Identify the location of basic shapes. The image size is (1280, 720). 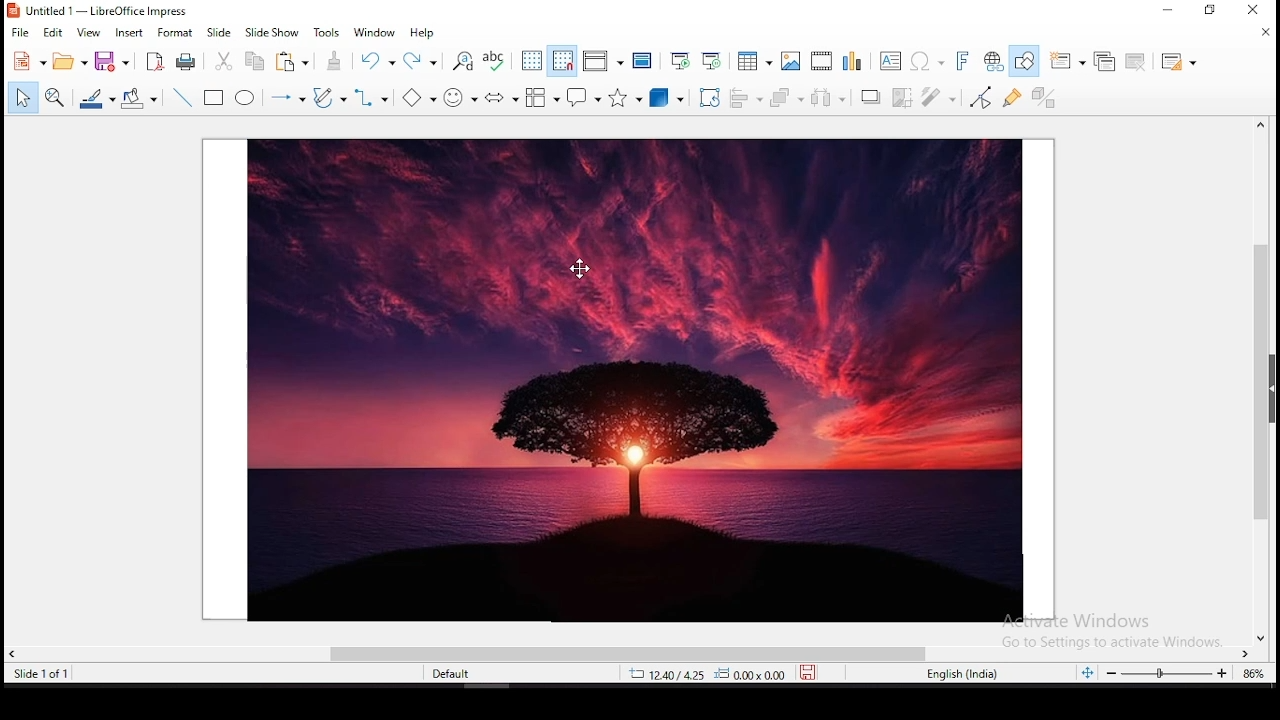
(419, 97).